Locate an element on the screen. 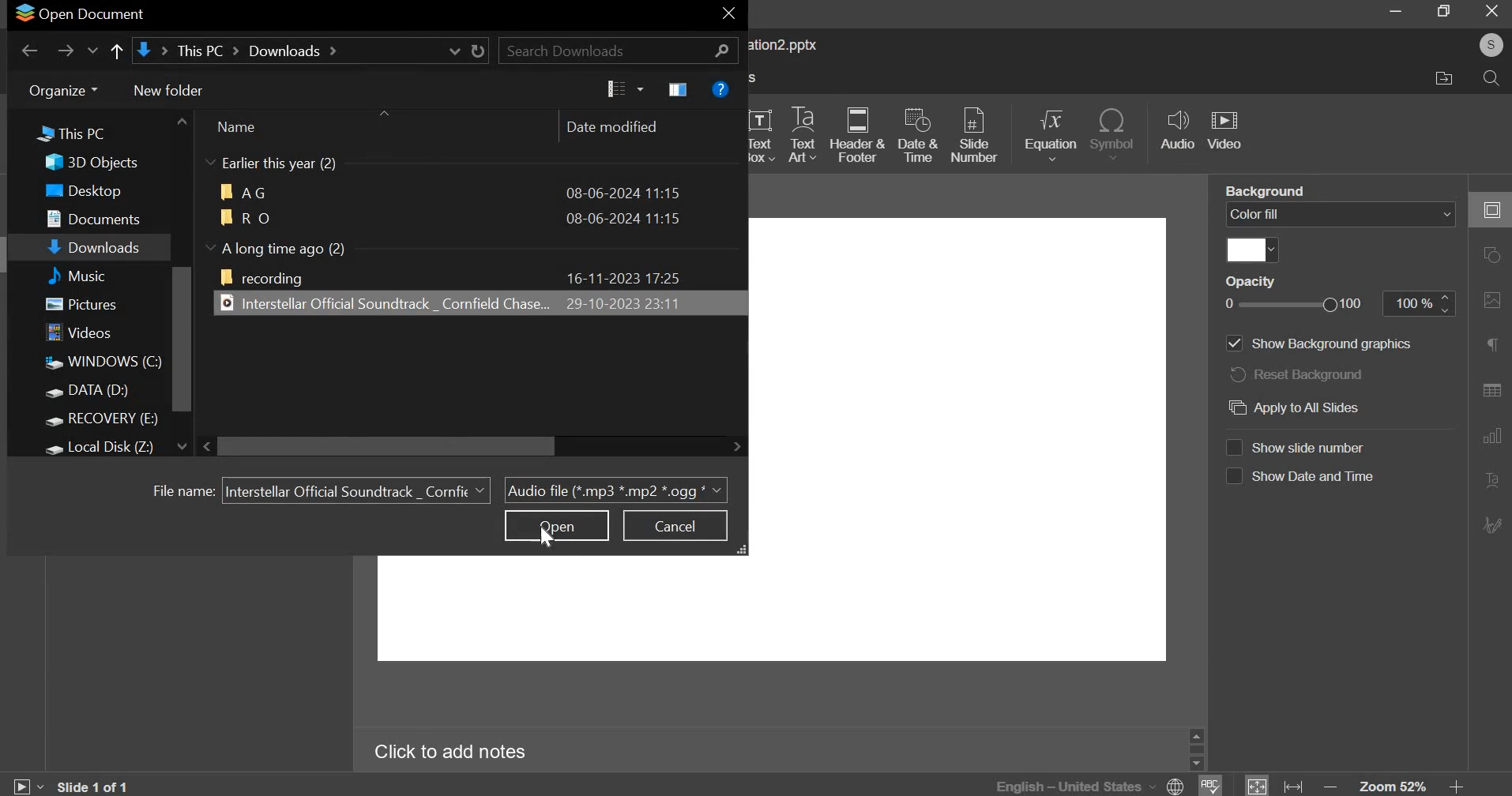 This screenshot has height=796, width=1512. cursor is located at coordinates (546, 537).